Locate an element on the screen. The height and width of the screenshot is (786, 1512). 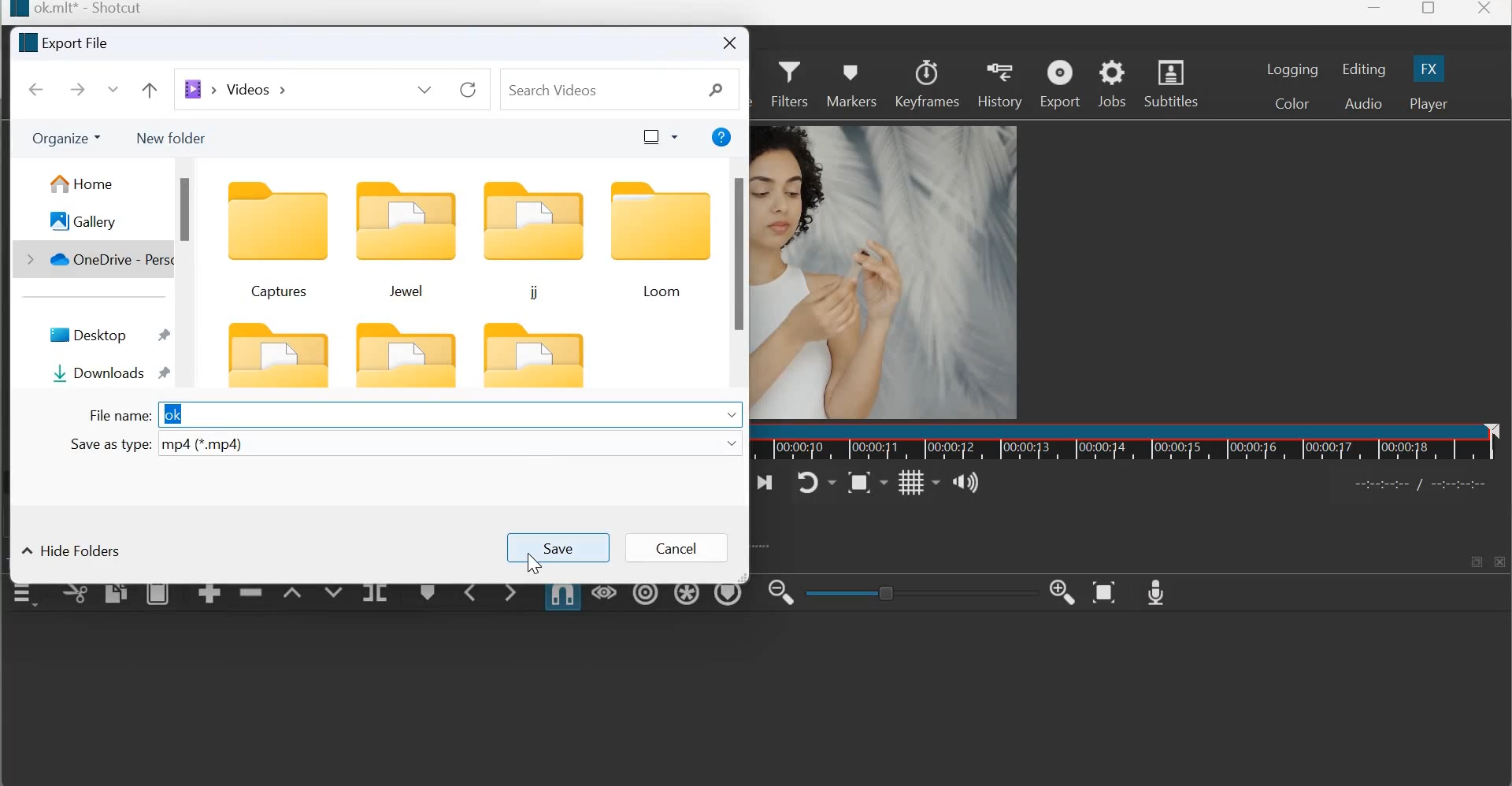
Show the volume control is located at coordinates (965, 483).